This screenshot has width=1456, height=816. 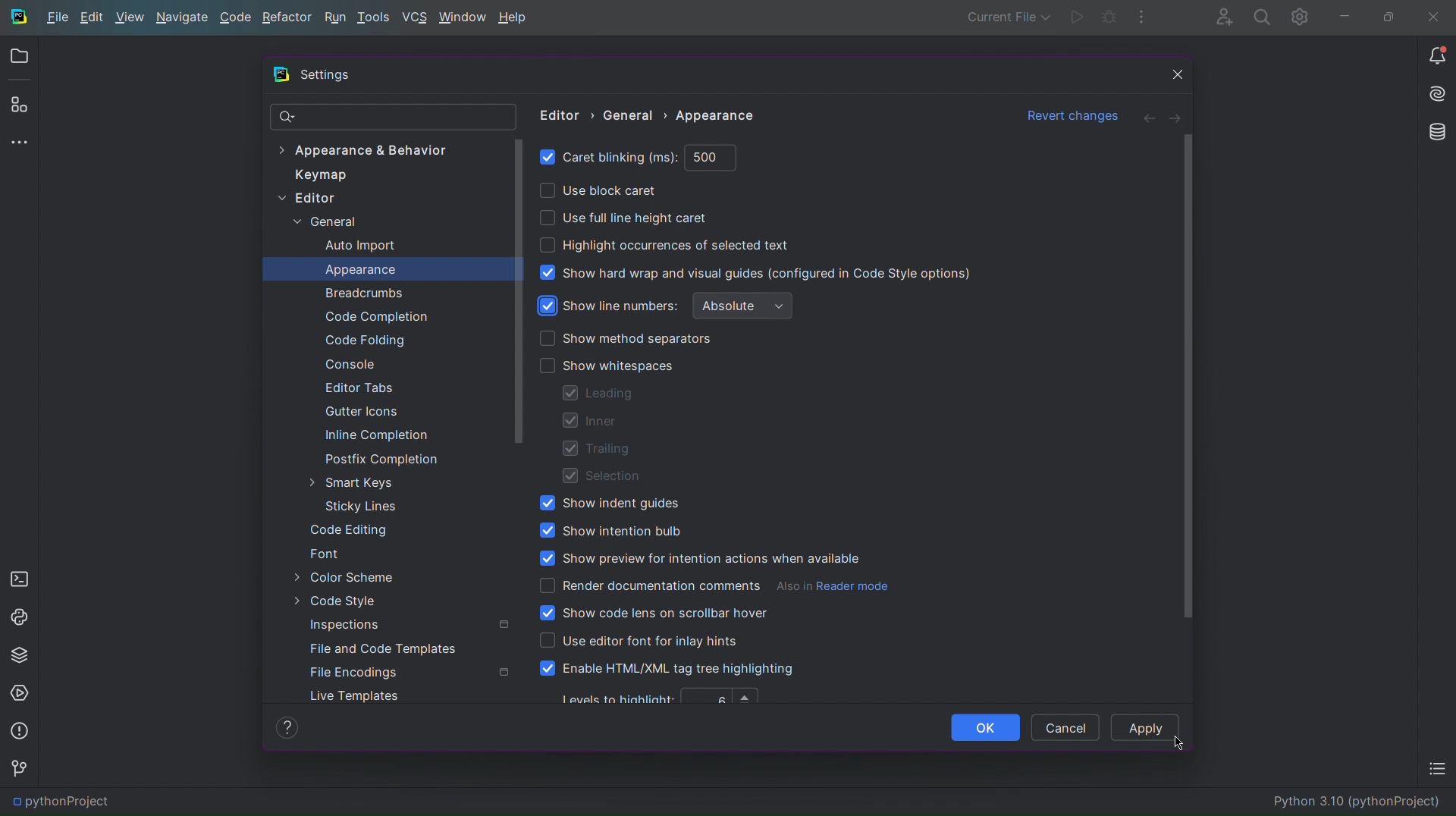 I want to click on Editor Tabs, so click(x=356, y=391).